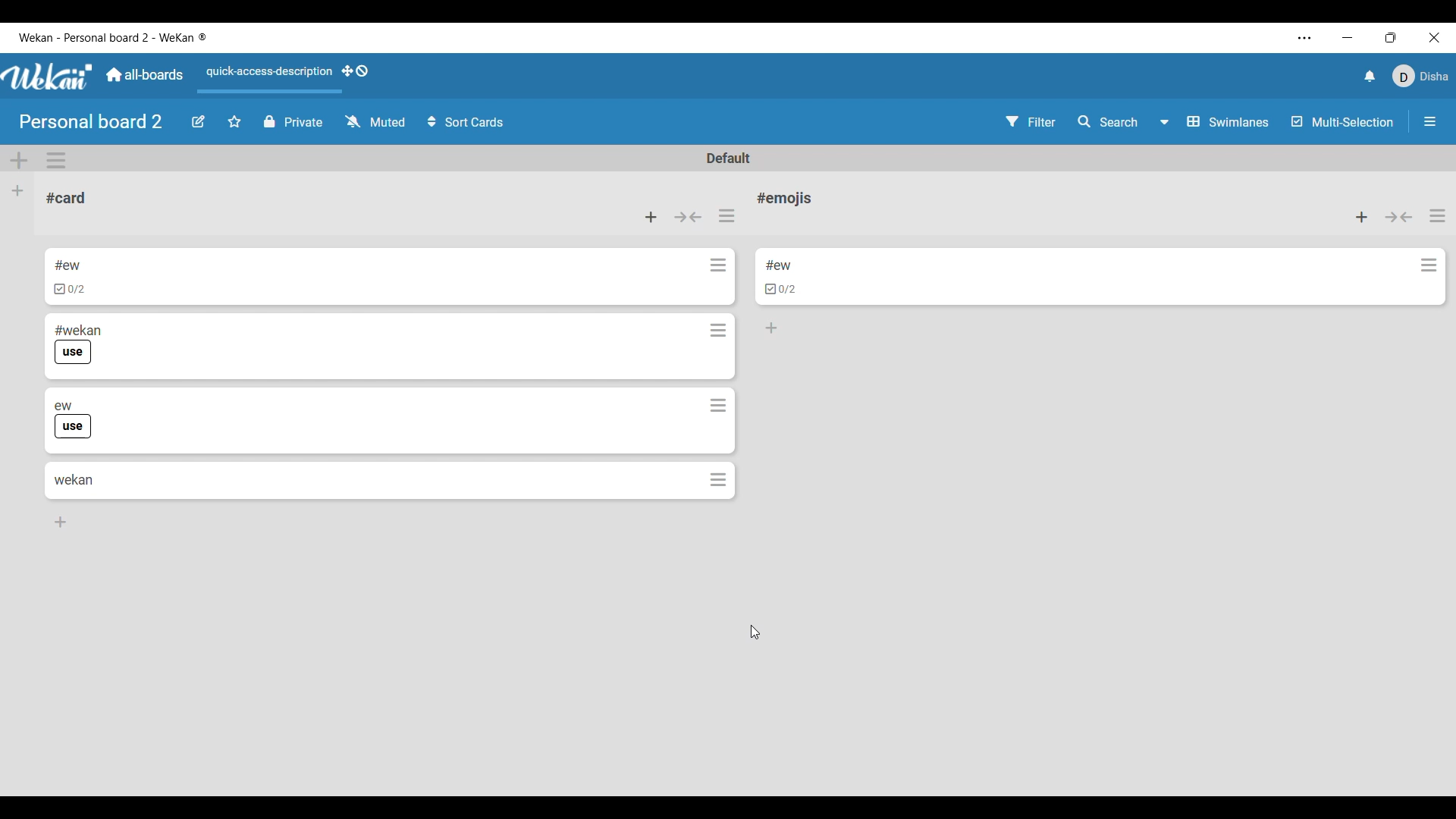 The image size is (1456, 819). Describe the element at coordinates (70, 290) in the screenshot. I see `Indicates checklist in card 1` at that location.